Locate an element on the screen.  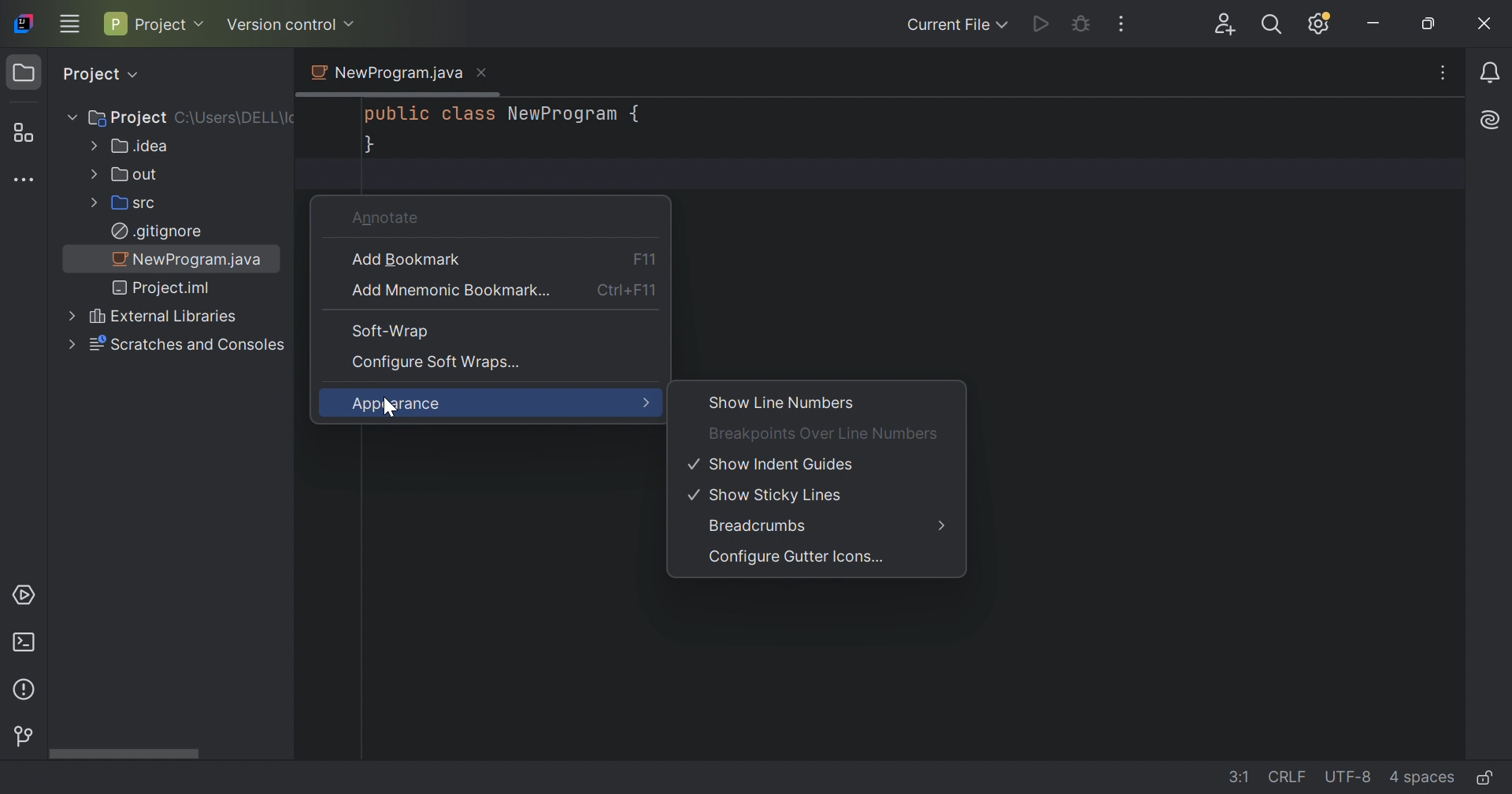
Problems is located at coordinates (27, 688).